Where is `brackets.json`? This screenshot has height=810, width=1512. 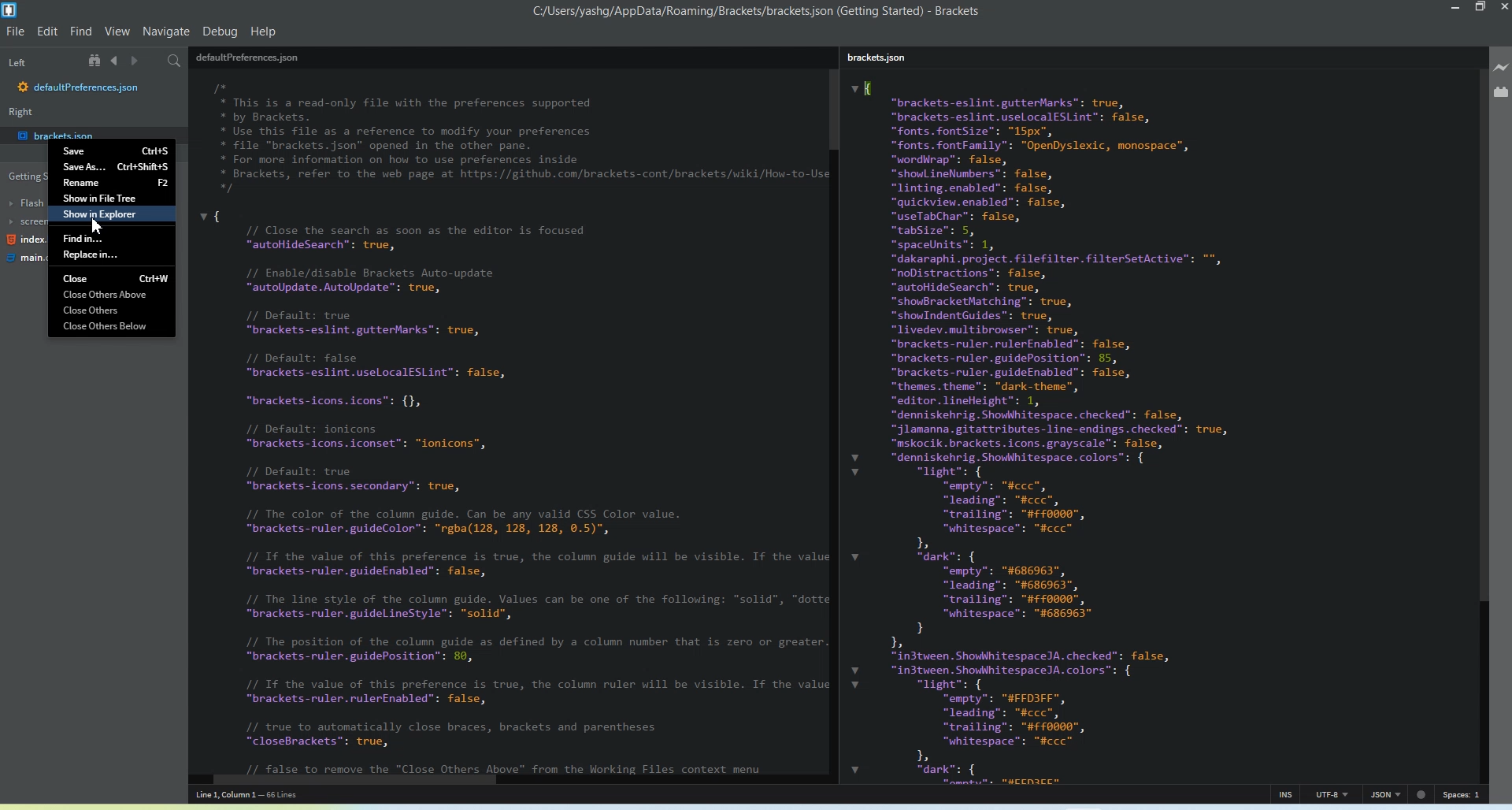 brackets.json is located at coordinates (59, 135).